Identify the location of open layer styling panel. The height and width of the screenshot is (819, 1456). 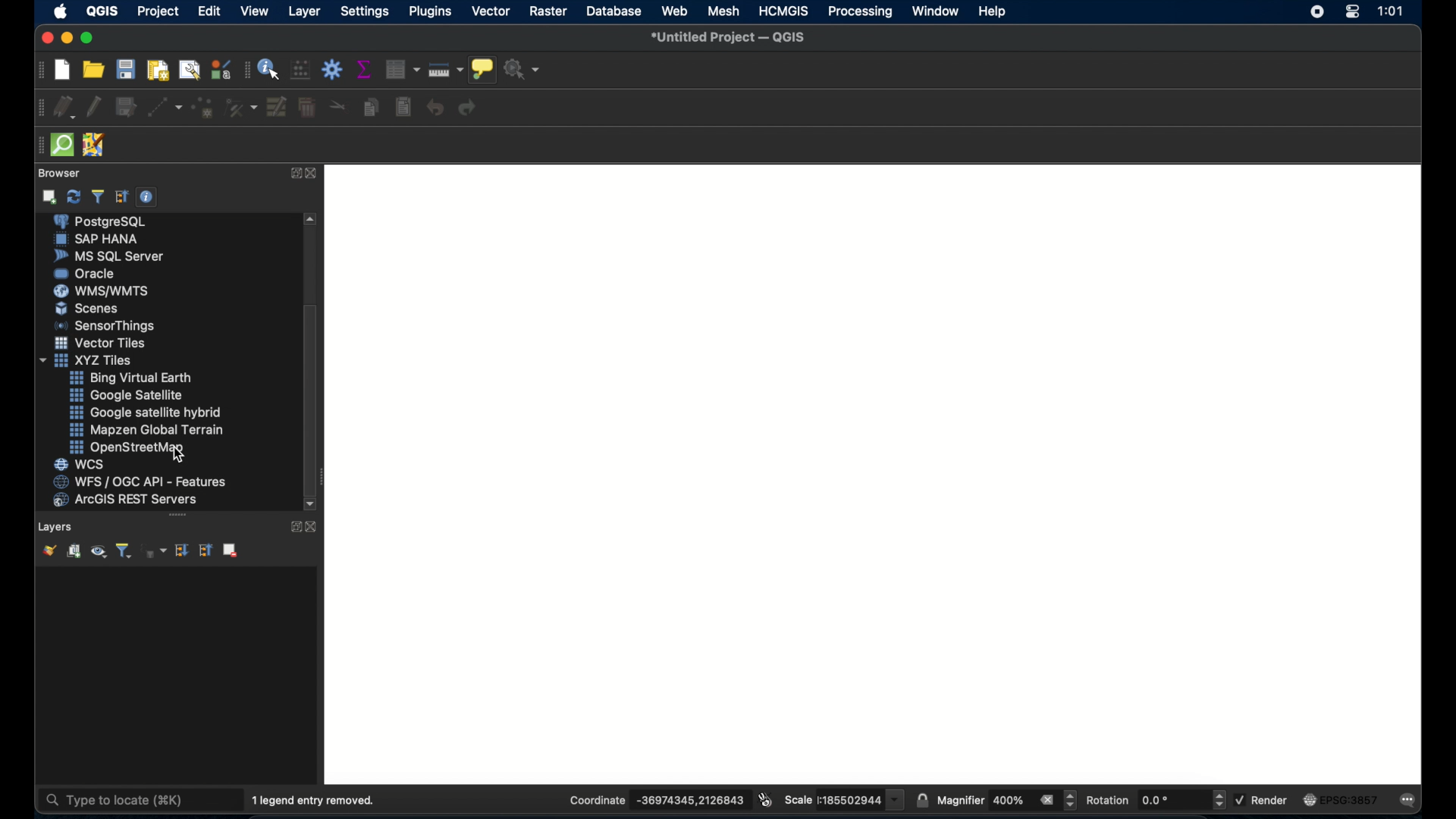
(47, 552).